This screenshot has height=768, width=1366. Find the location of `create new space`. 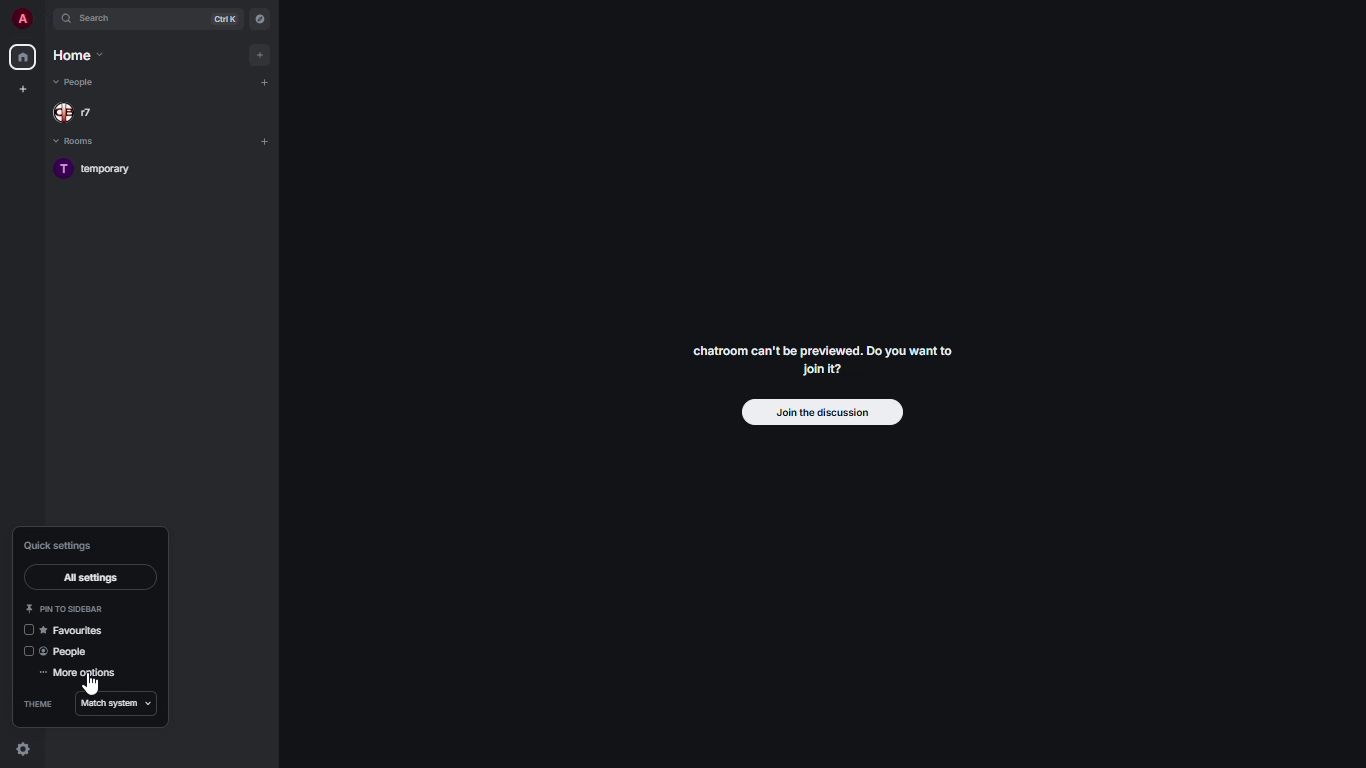

create new space is located at coordinates (23, 88).